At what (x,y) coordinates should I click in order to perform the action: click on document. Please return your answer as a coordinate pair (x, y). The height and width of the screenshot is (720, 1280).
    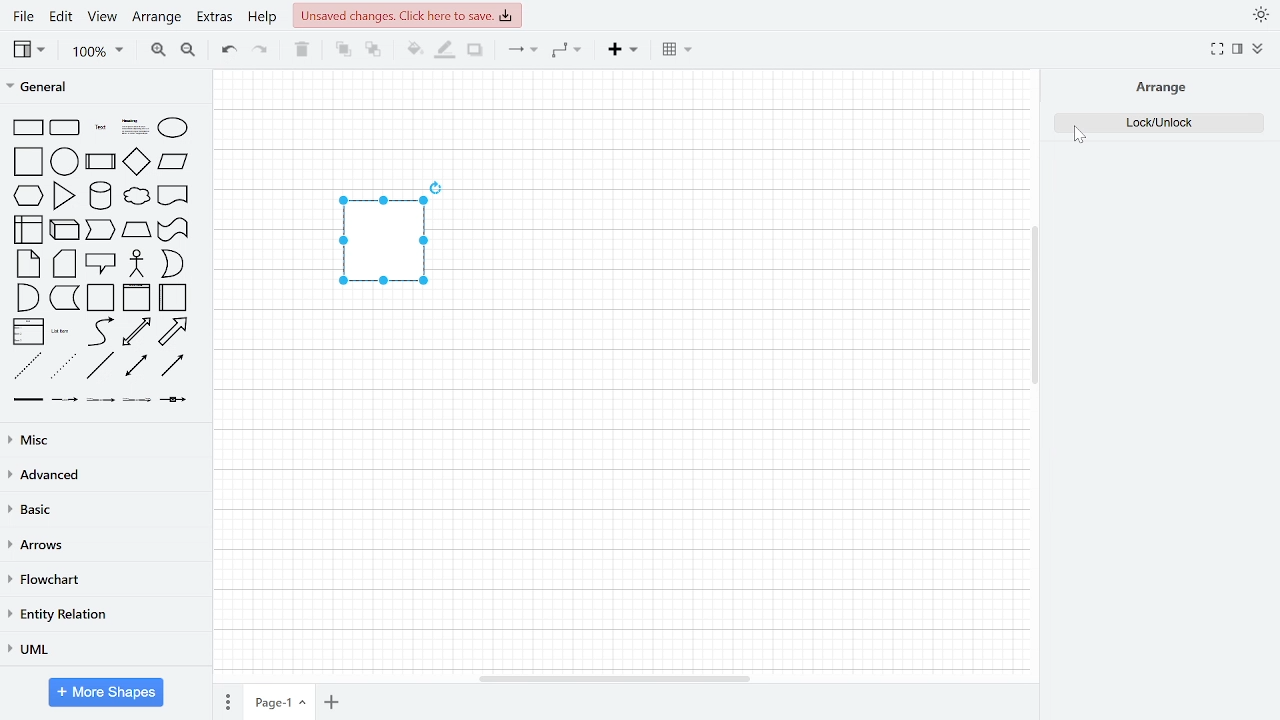
    Looking at the image, I should click on (173, 196).